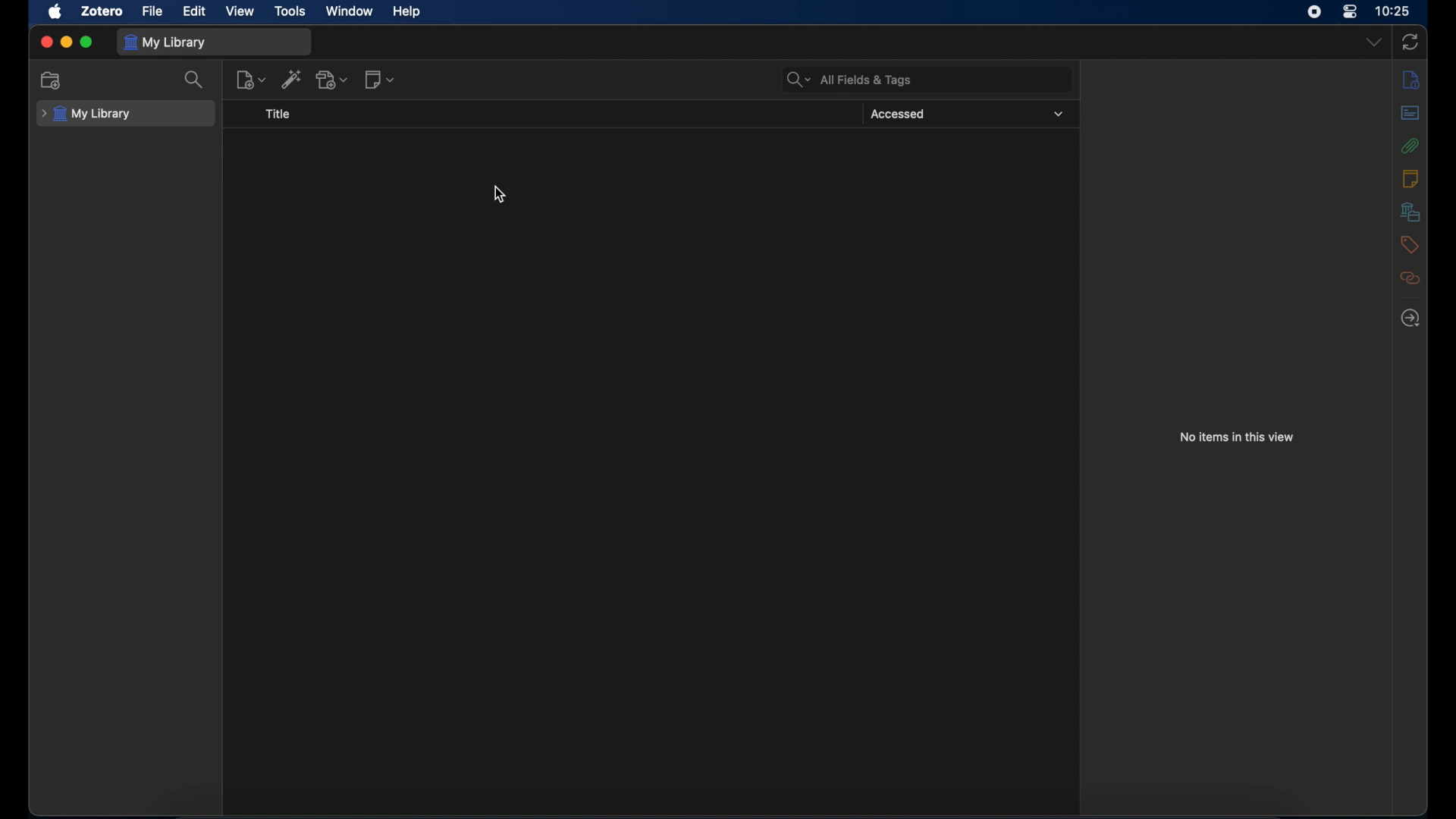 This screenshot has width=1456, height=819. What do you see at coordinates (381, 79) in the screenshot?
I see `new notes` at bounding box center [381, 79].